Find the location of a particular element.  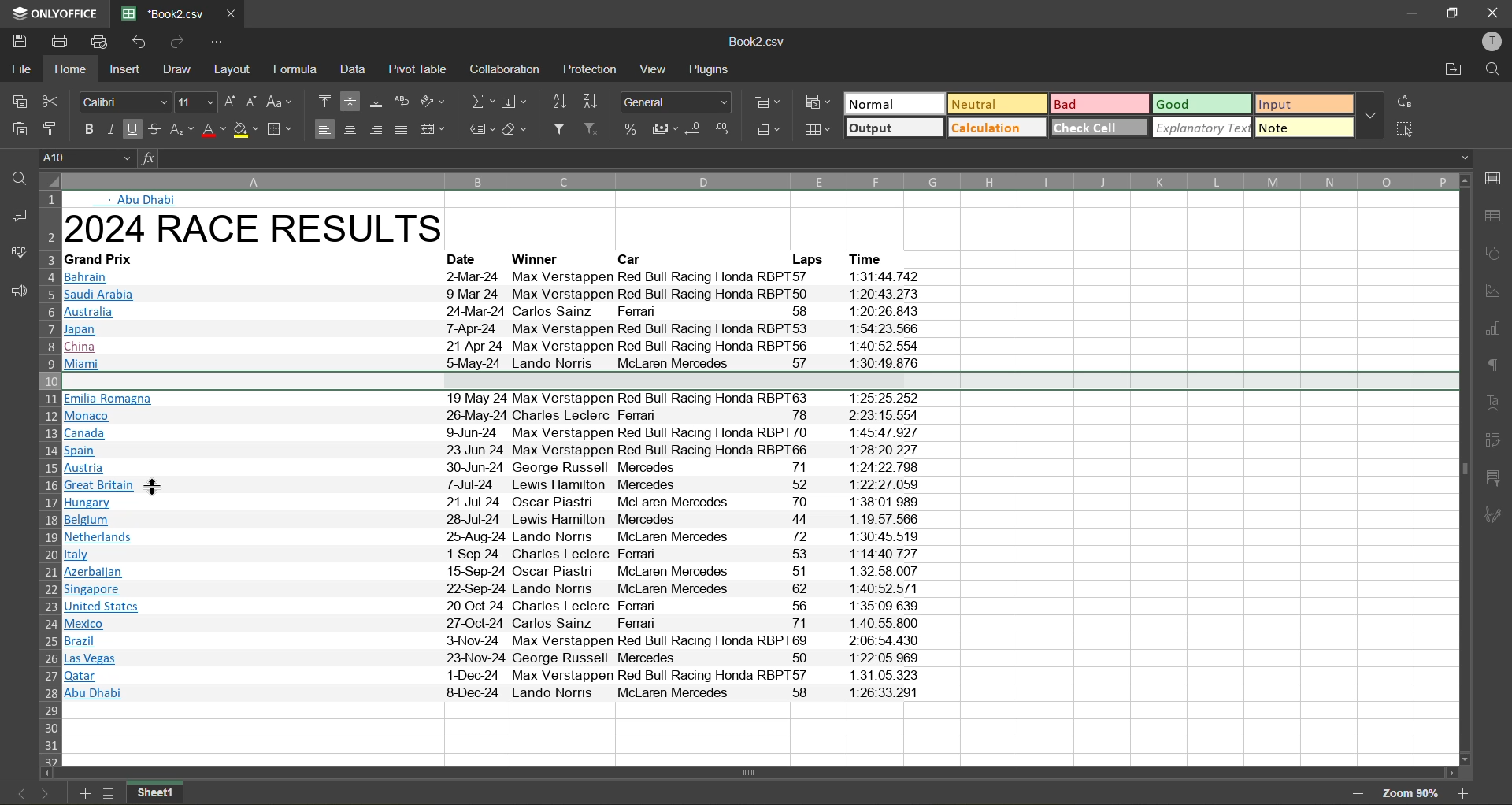

max: 45417 is located at coordinates (1228, 793).